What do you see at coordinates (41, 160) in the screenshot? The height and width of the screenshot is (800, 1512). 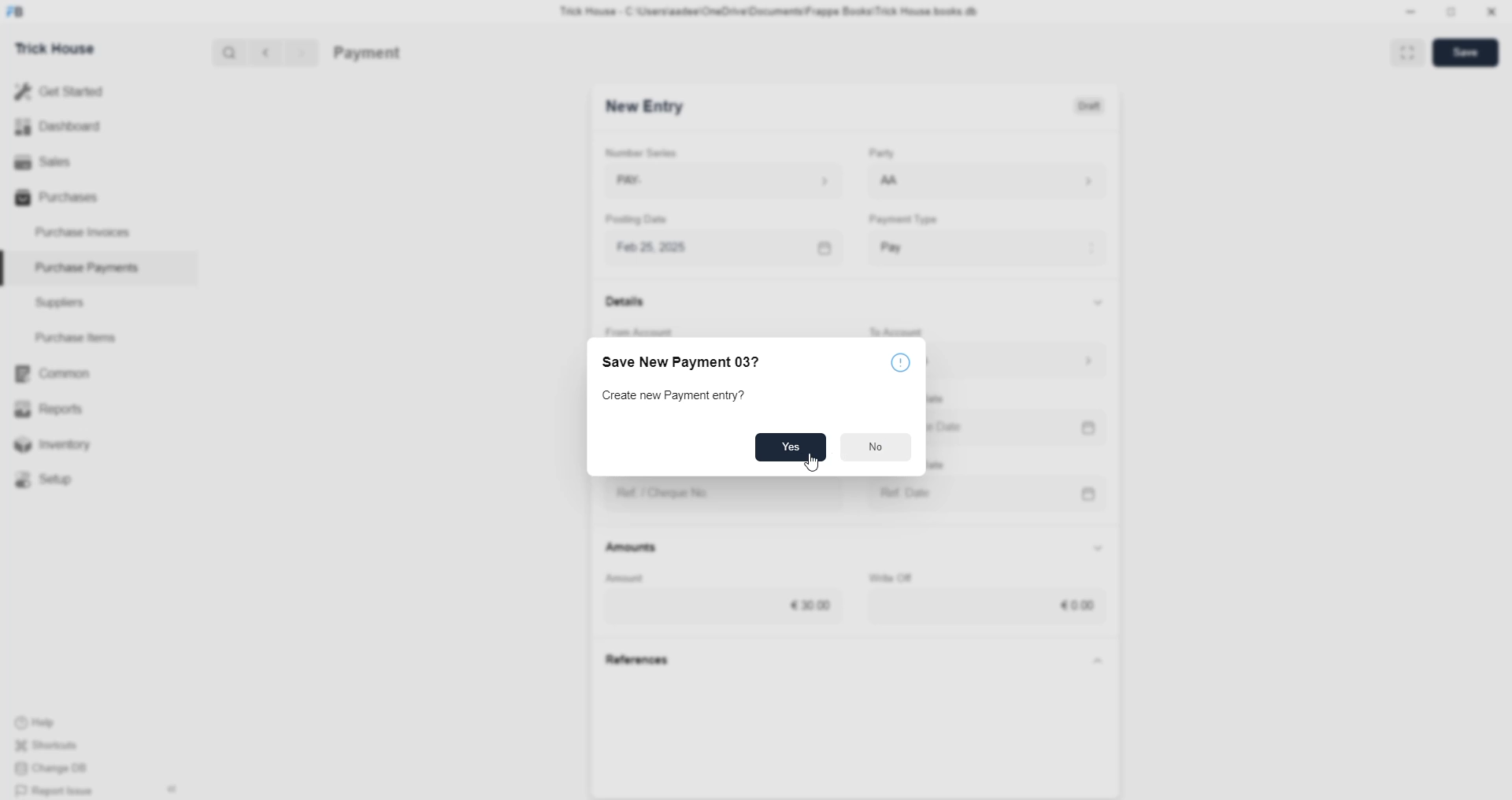 I see `Sales` at bounding box center [41, 160].